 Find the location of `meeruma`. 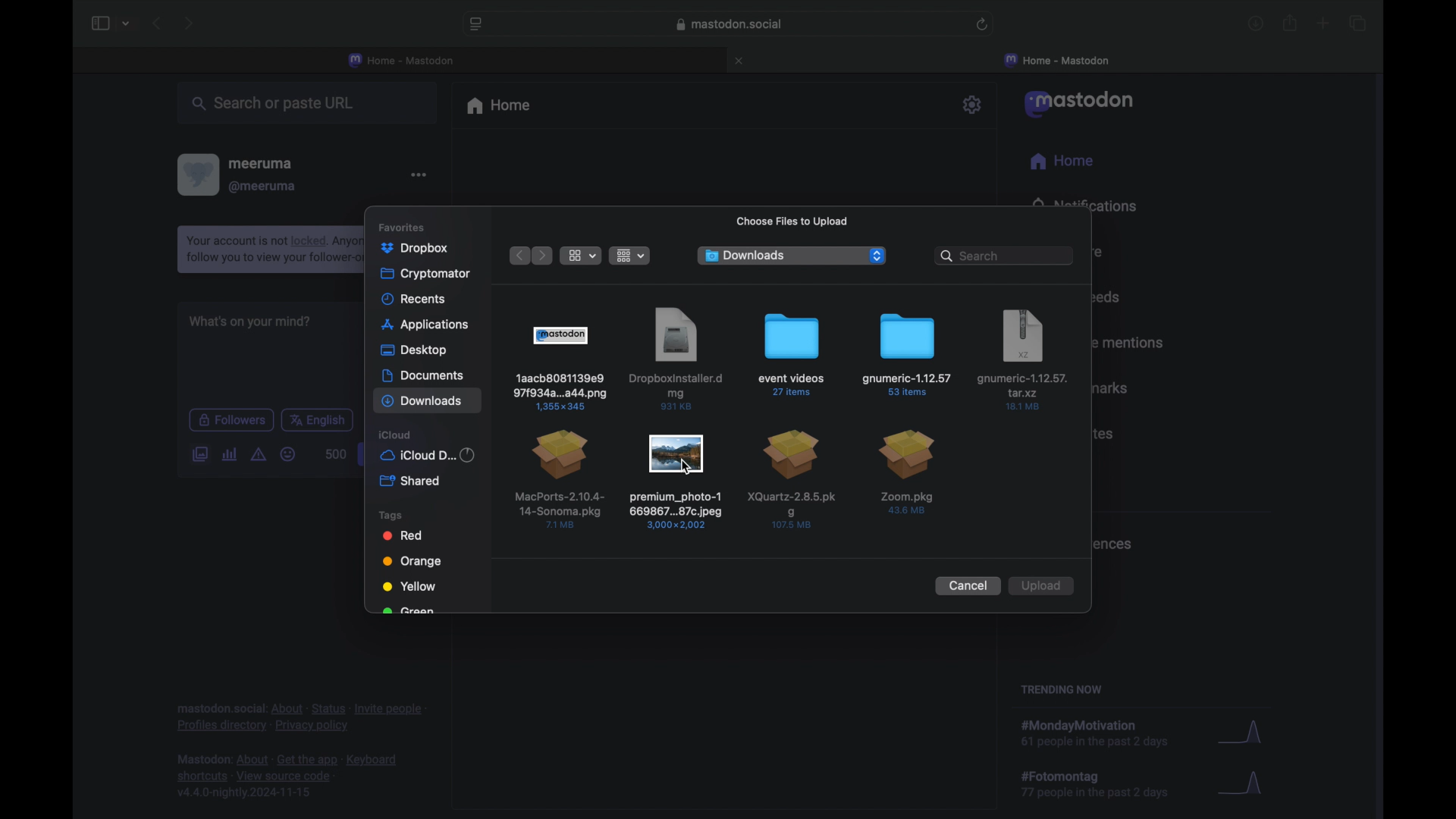

meeruma is located at coordinates (264, 164).